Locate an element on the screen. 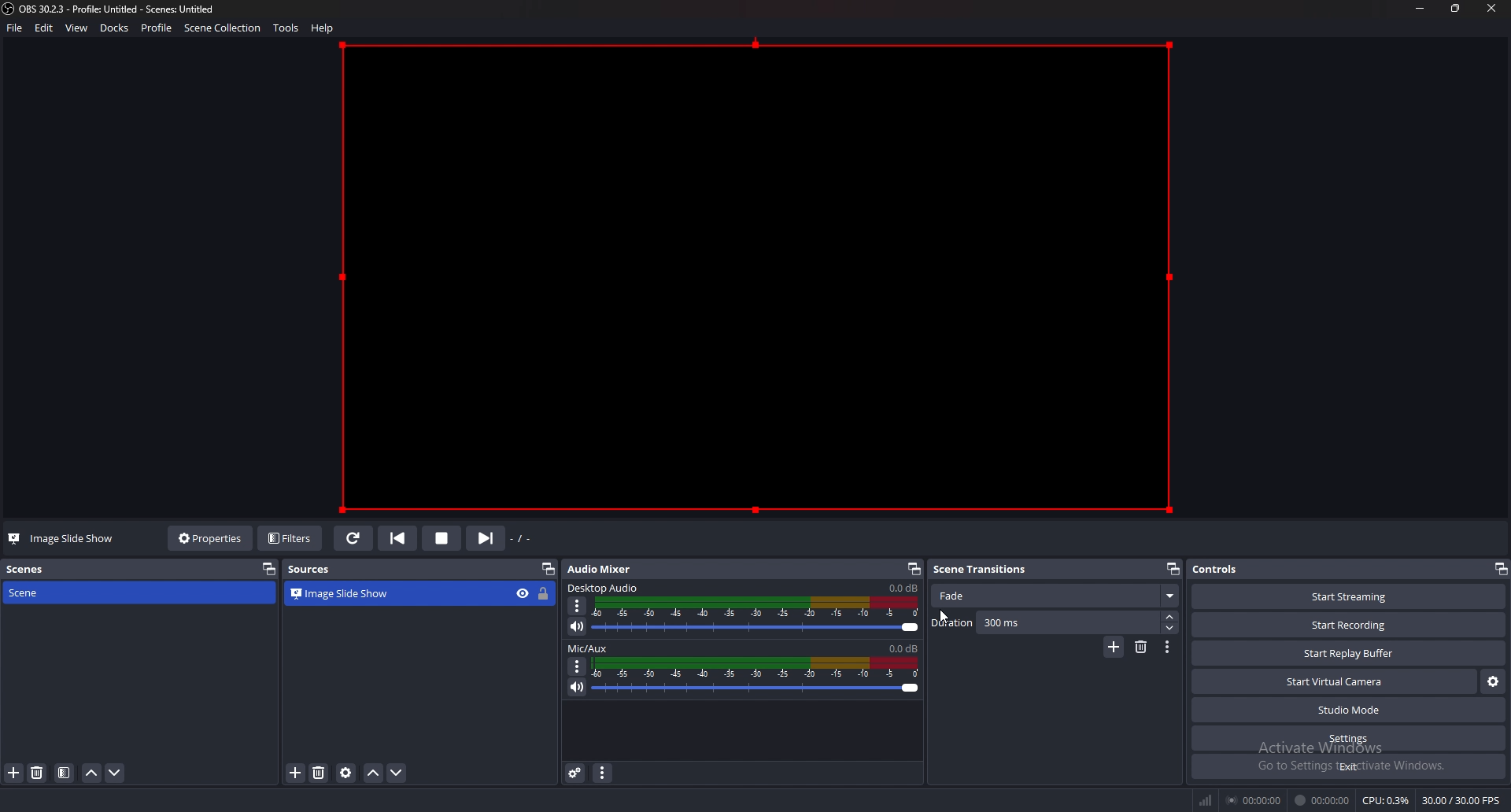  remove source is located at coordinates (320, 773).